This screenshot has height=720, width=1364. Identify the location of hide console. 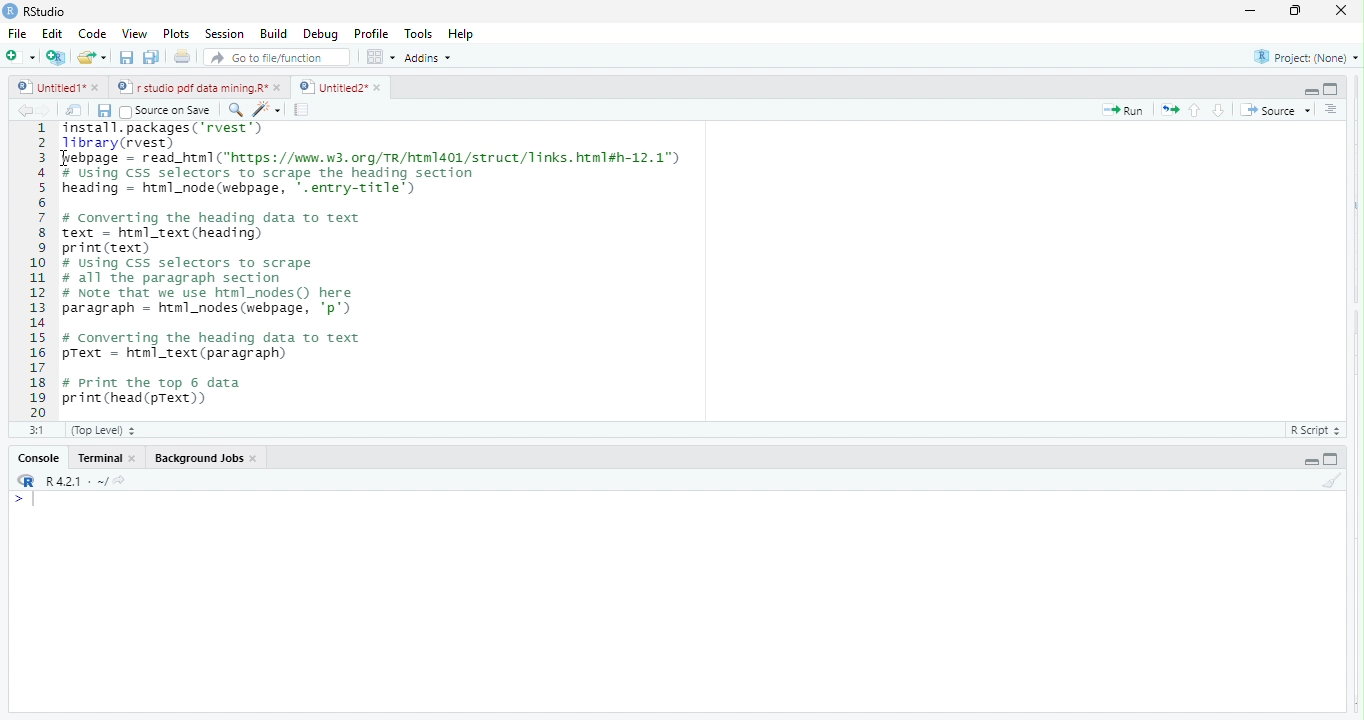
(1329, 459).